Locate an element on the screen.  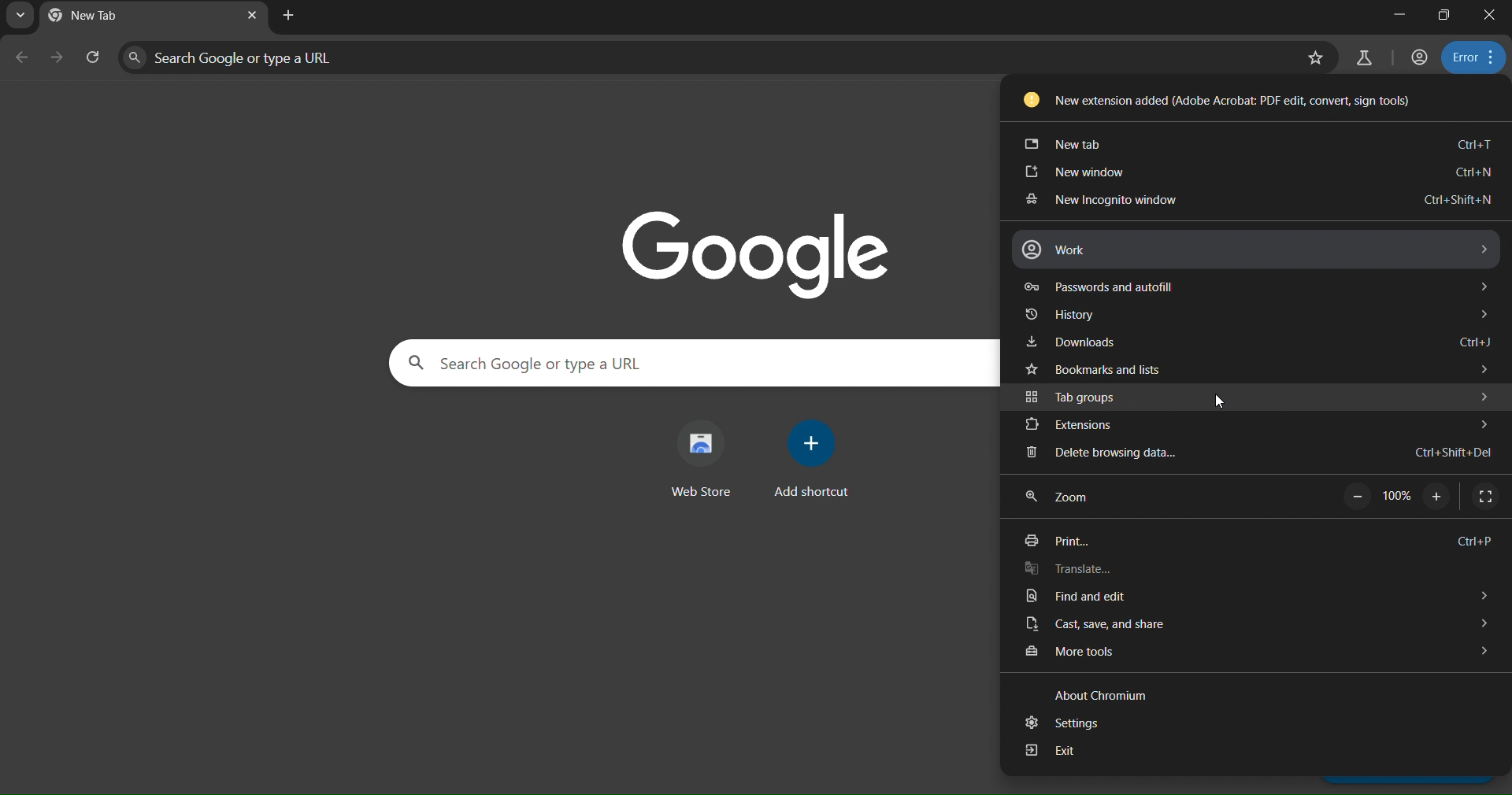
new tab is located at coordinates (287, 17).